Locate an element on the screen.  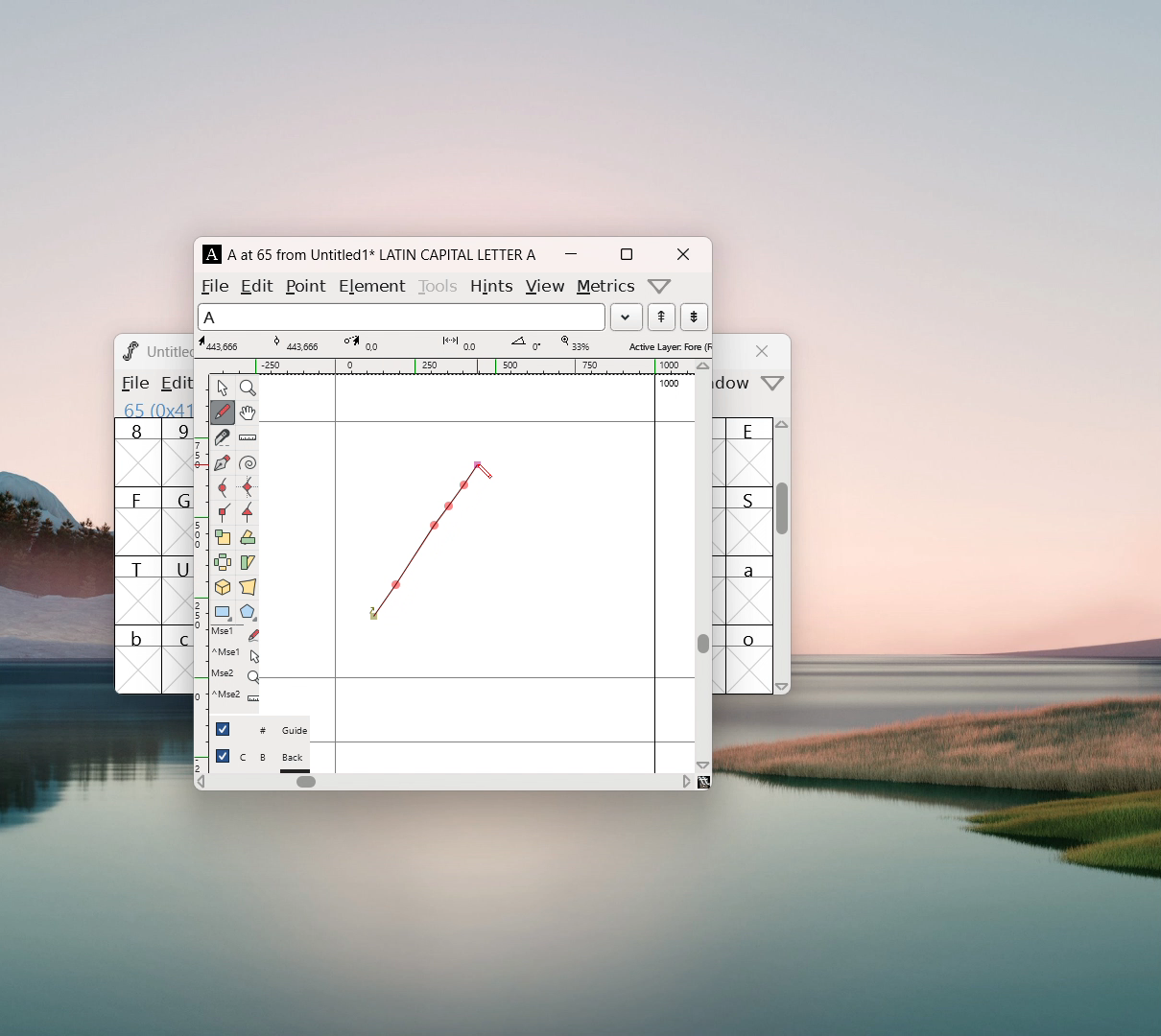
scroll up is located at coordinates (784, 429).